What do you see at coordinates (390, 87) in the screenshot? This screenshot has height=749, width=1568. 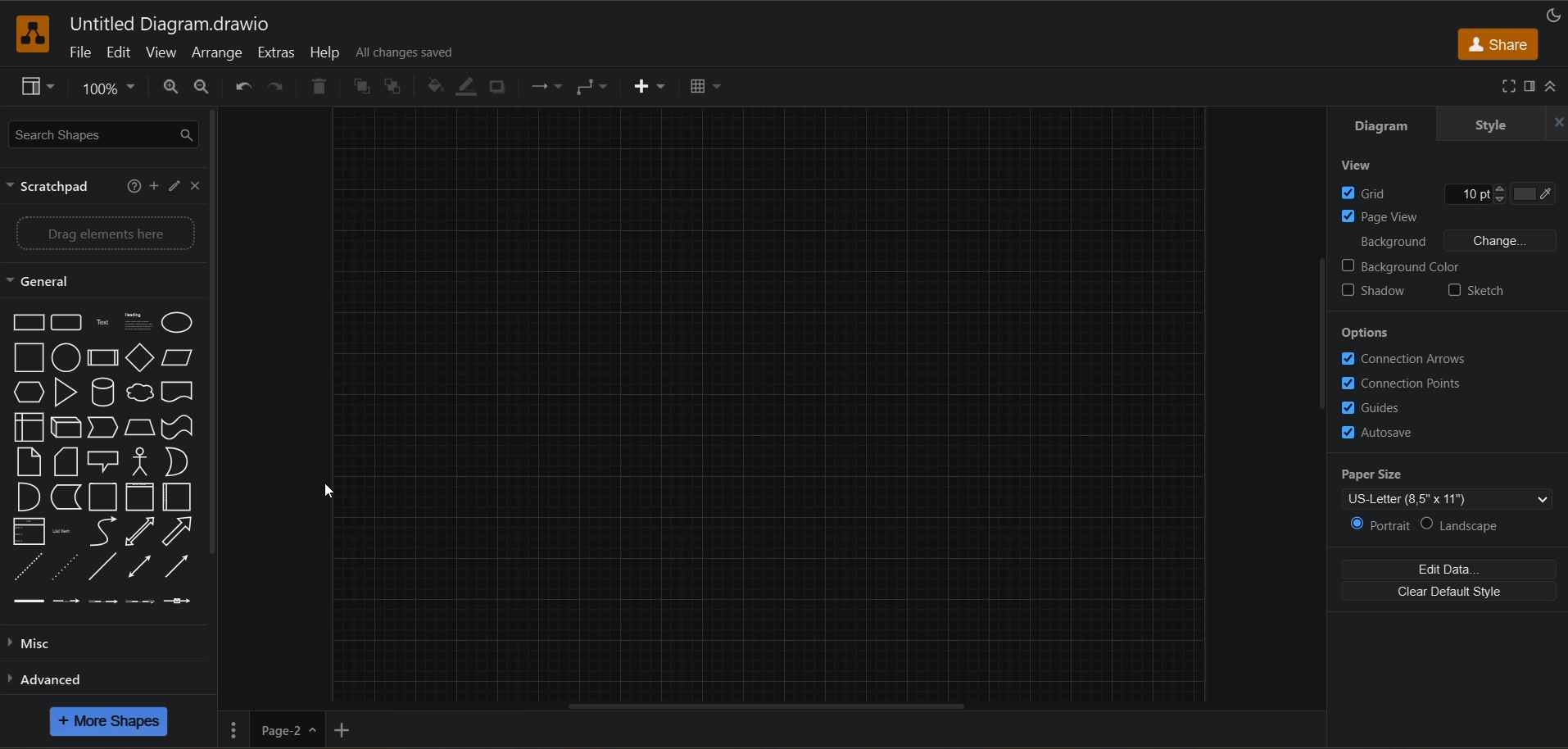 I see `to back` at bounding box center [390, 87].